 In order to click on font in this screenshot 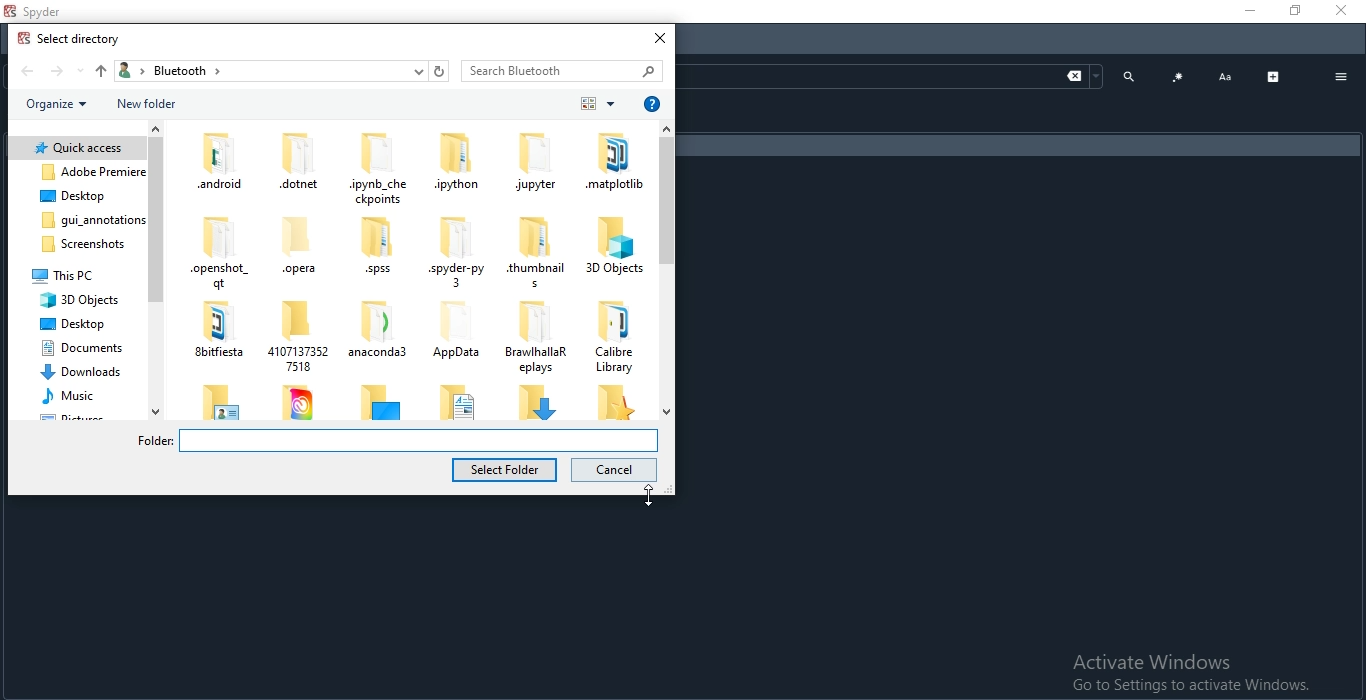, I will do `click(1225, 78)`.